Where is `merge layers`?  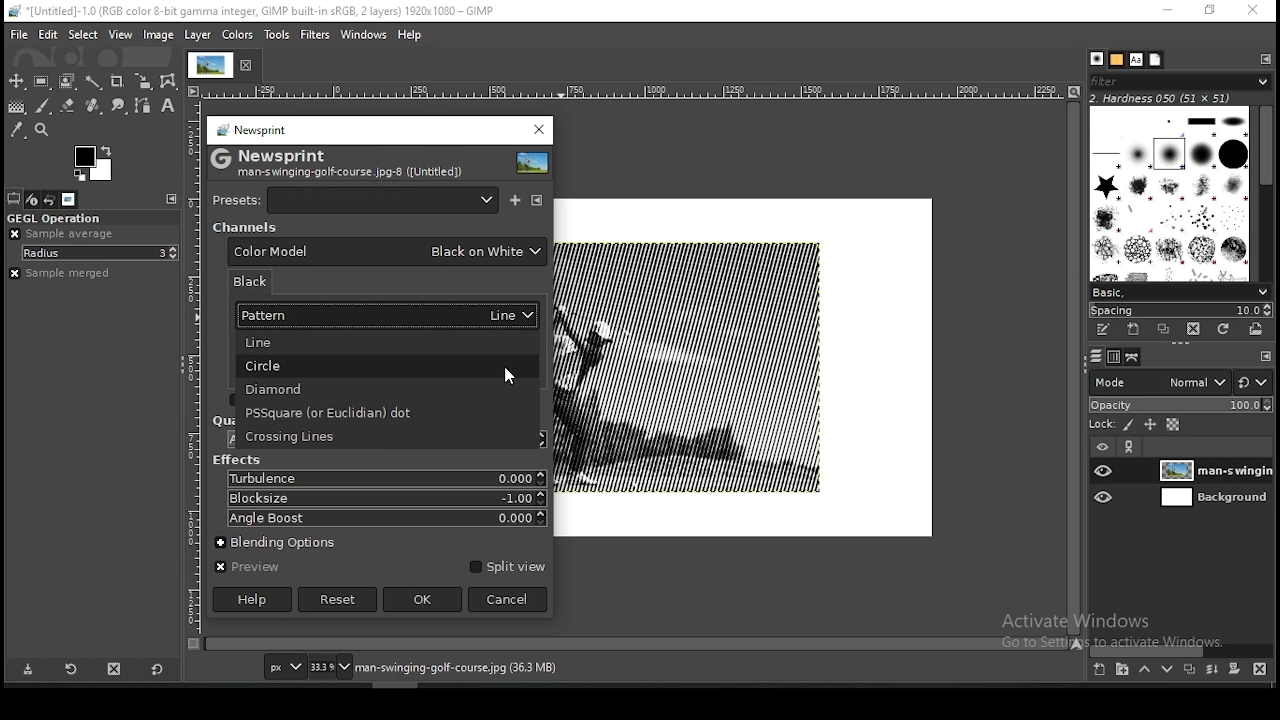 merge layers is located at coordinates (1210, 669).